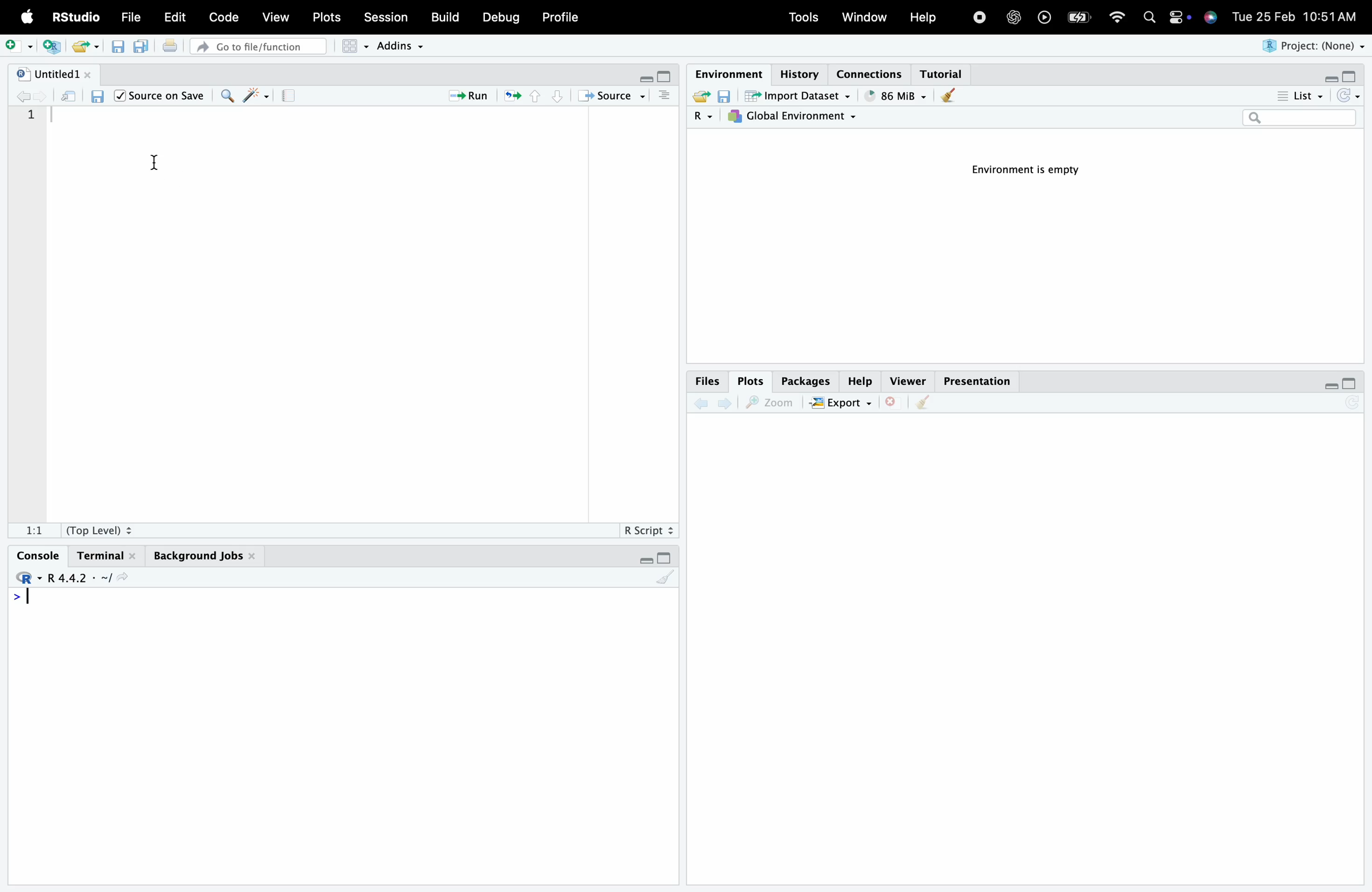 This screenshot has width=1372, height=892. Describe the element at coordinates (38, 551) in the screenshot. I see `Console` at that location.